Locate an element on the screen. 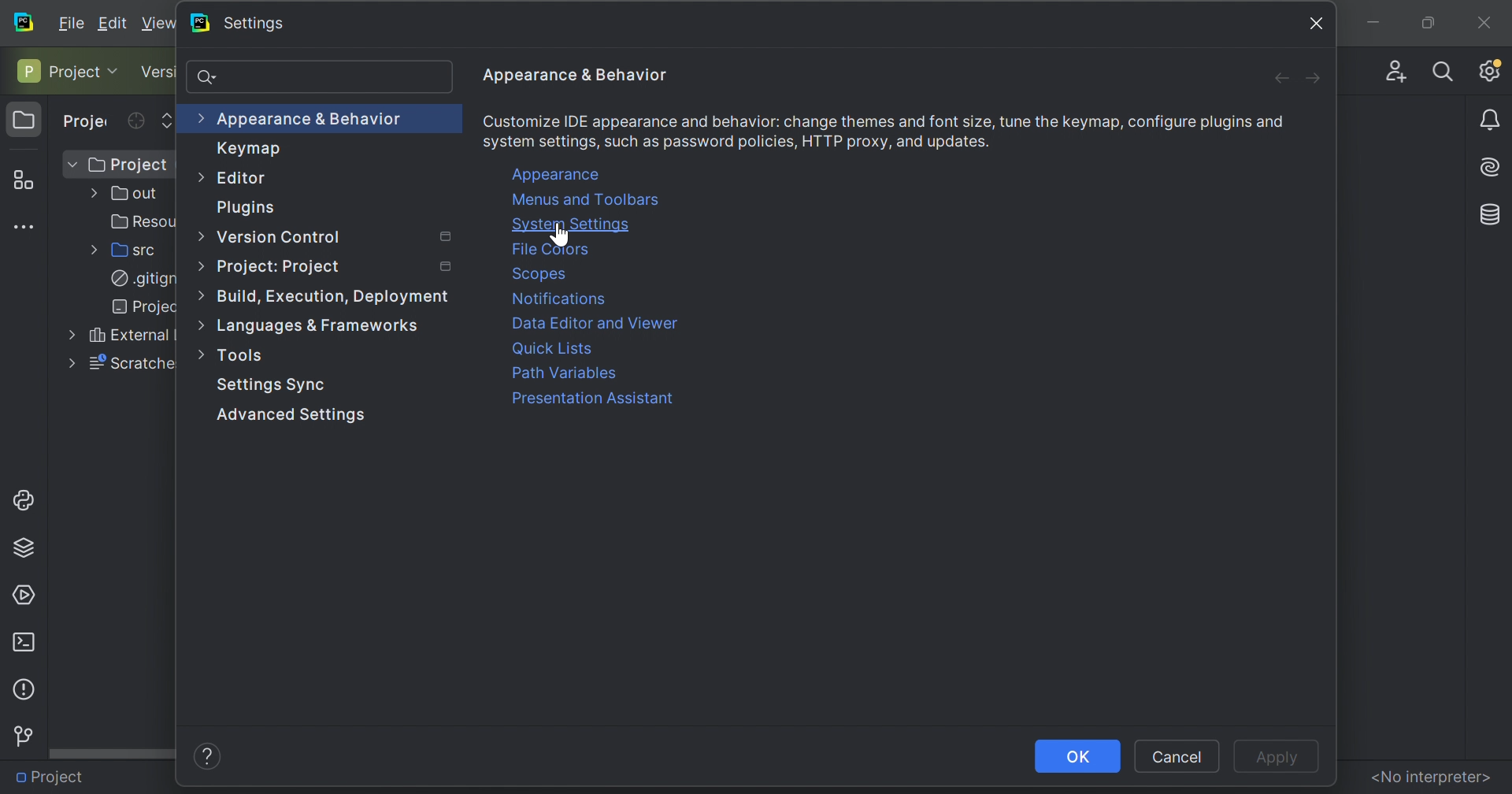  OK is located at coordinates (1078, 756).